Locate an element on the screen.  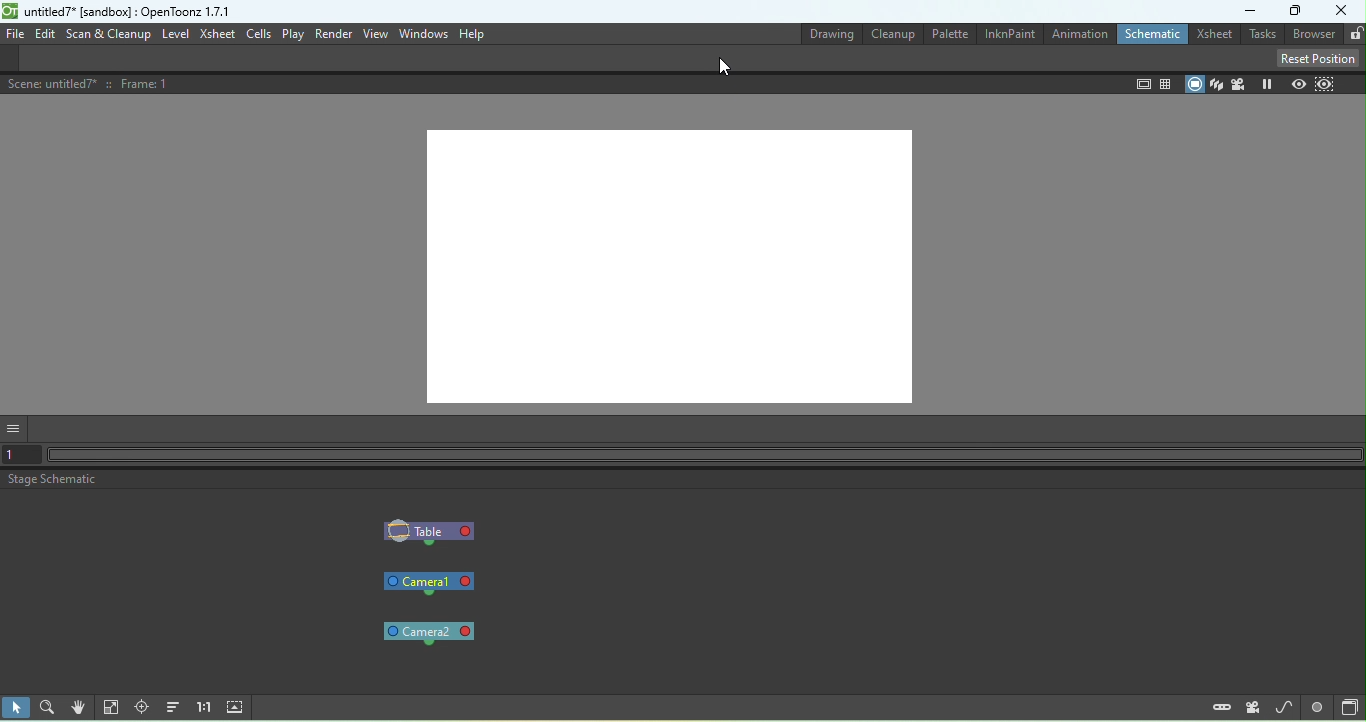
field guide is located at coordinates (1164, 85).